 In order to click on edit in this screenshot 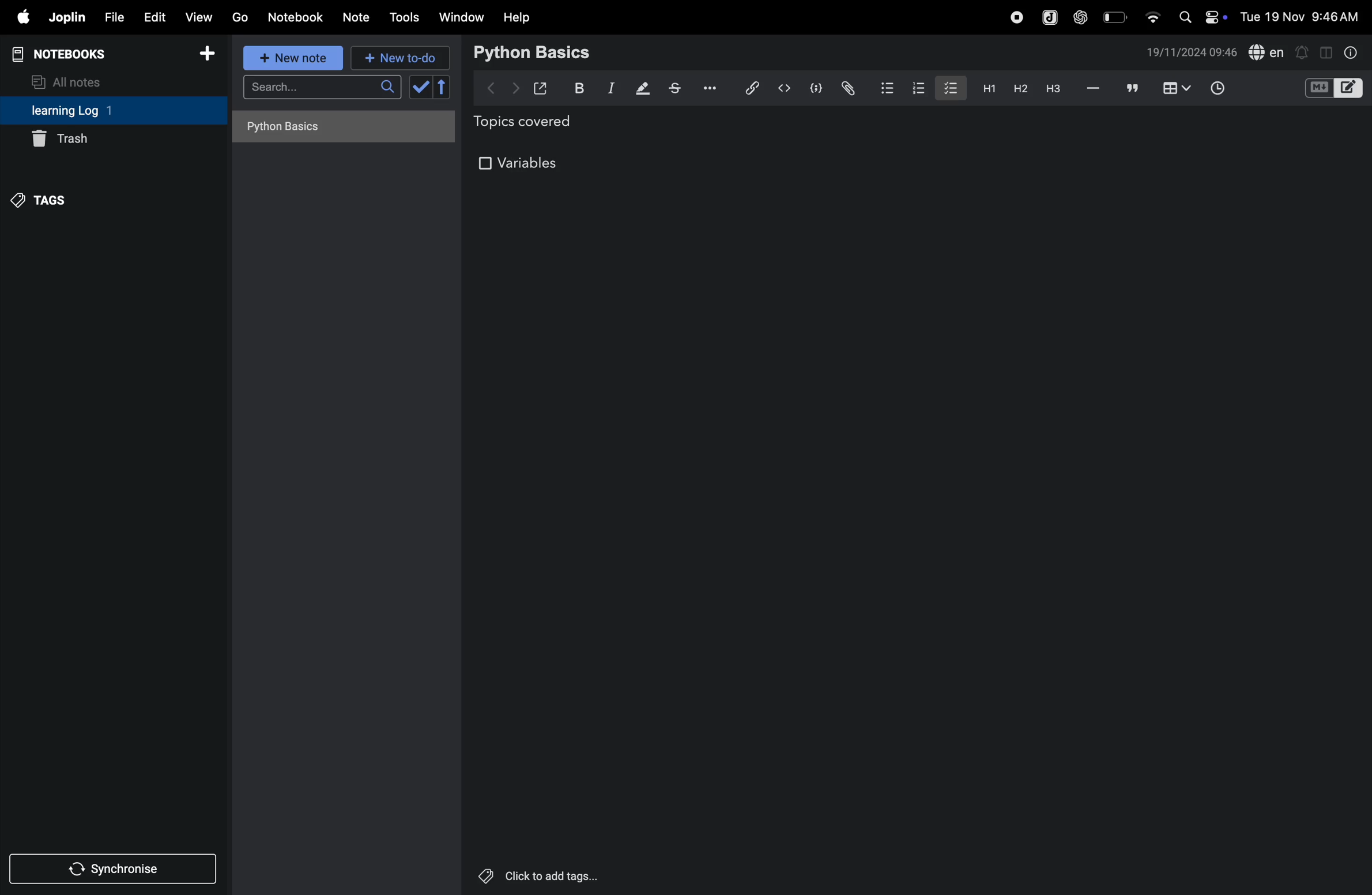, I will do `click(153, 17)`.